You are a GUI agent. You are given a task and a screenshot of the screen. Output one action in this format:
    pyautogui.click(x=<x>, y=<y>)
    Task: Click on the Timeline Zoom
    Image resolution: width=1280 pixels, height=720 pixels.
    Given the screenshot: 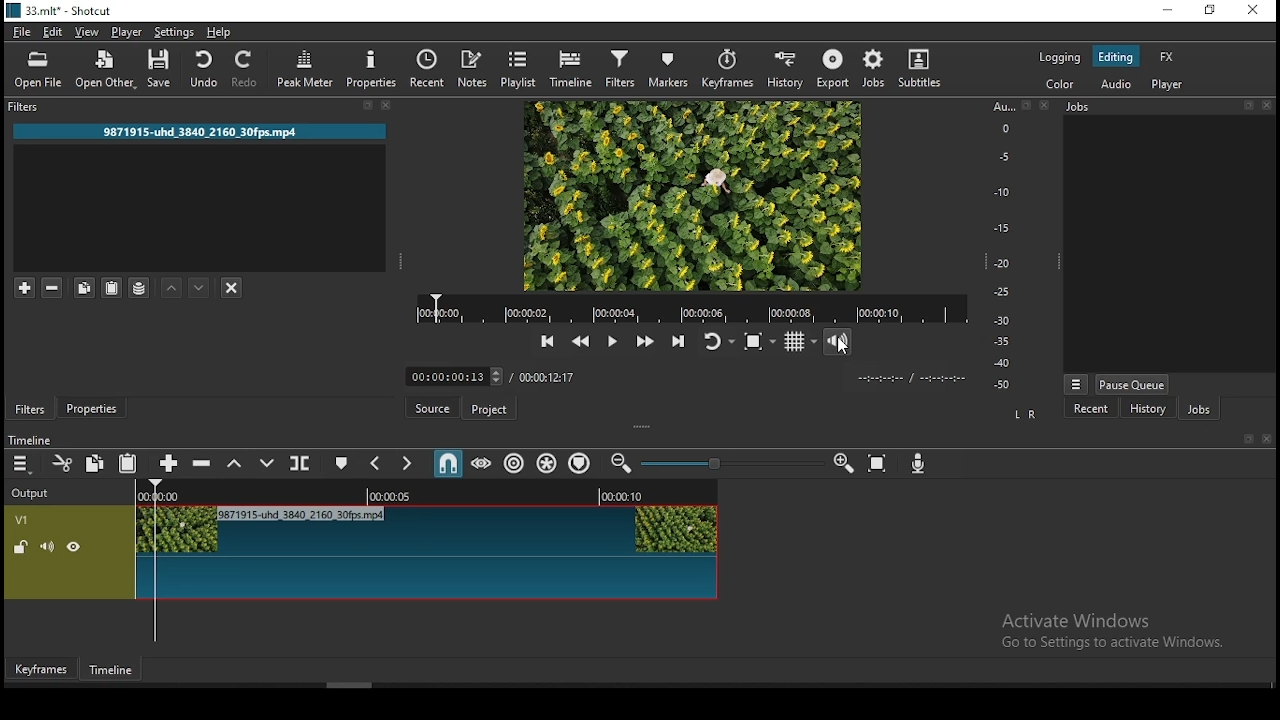 What is the action you would take?
    pyautogui.click(x=732, y=464)
    